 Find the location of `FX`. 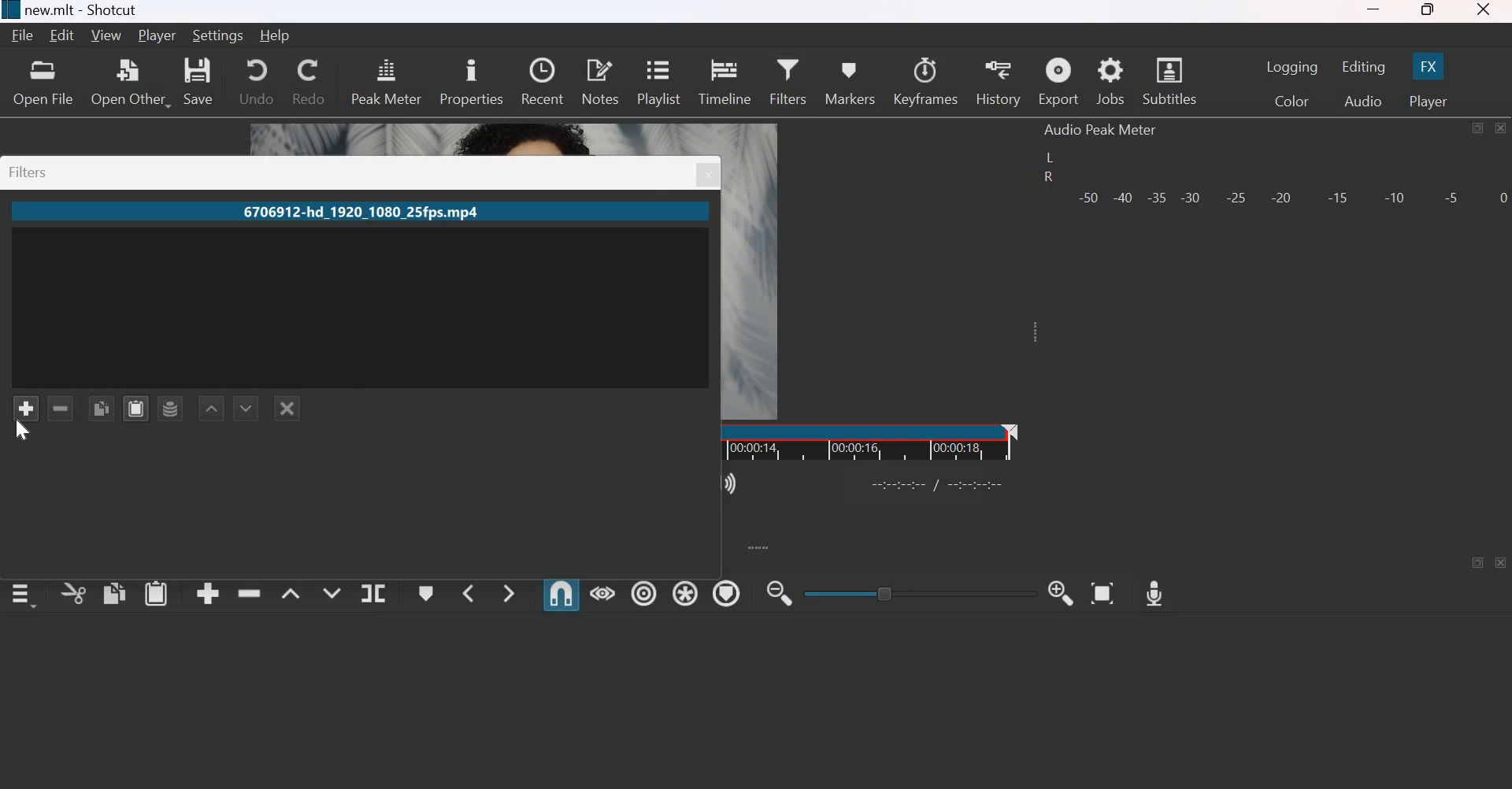

FX is located at coordinates (1426, 66).